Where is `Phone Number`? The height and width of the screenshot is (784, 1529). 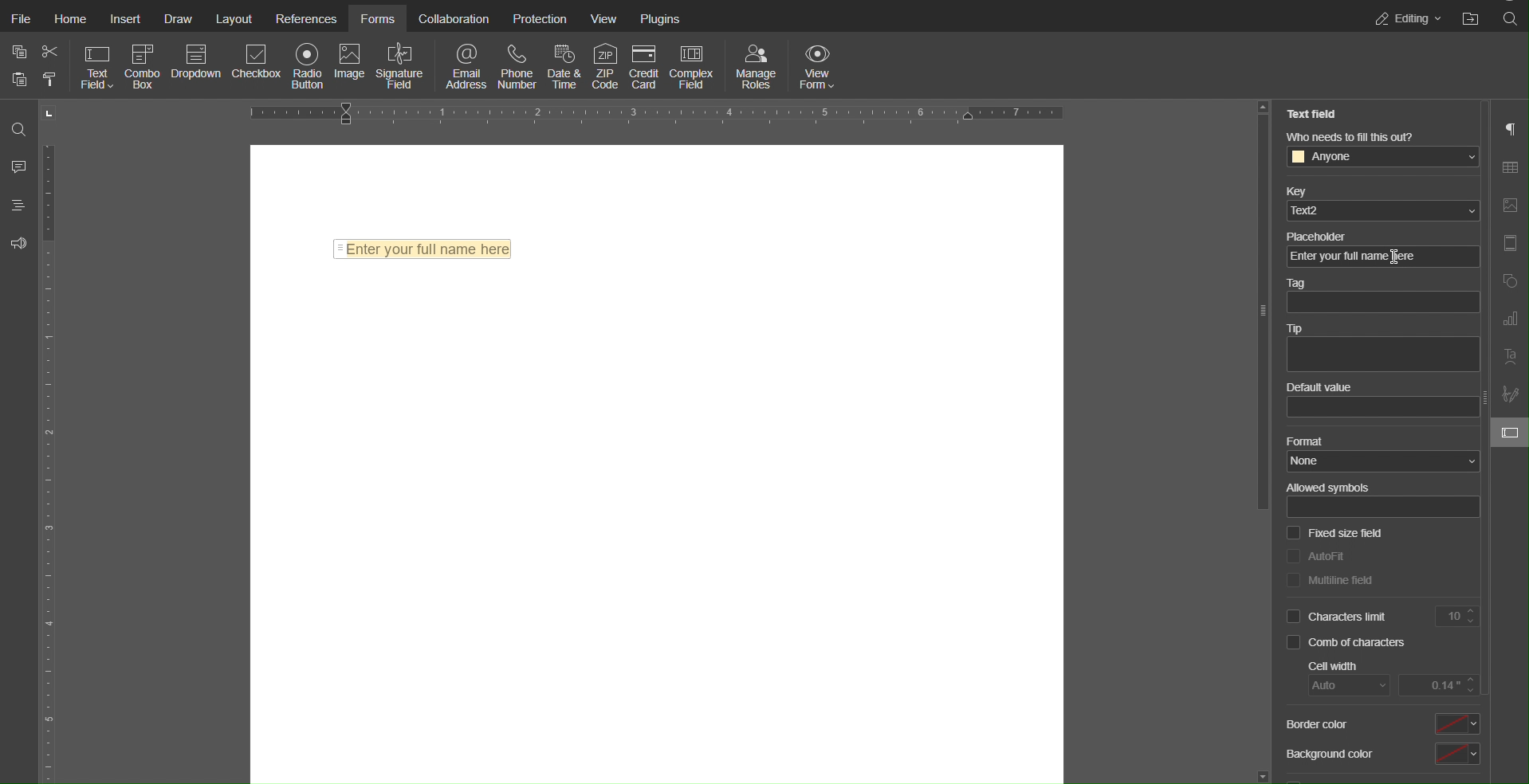
Phone Number is located at coordinates (517, 66).